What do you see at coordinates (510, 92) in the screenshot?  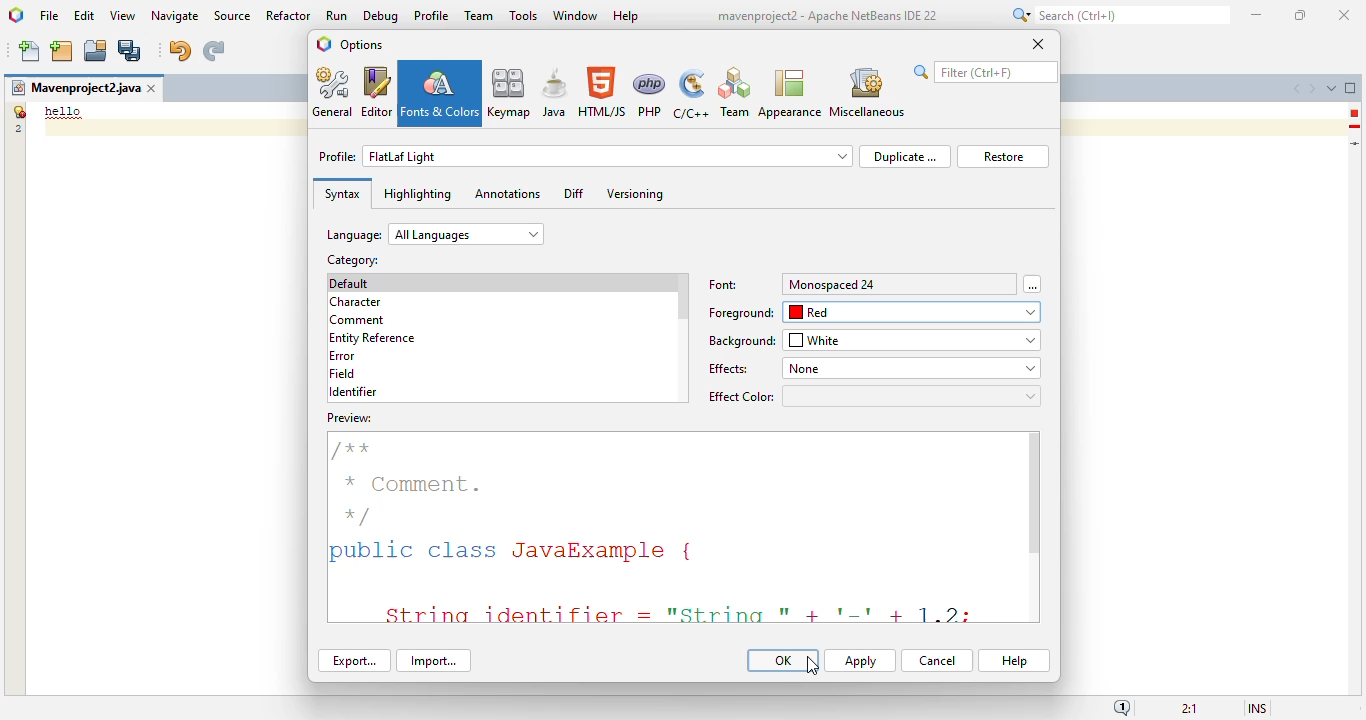 I see `keymap` at bounding box center [510, 92].